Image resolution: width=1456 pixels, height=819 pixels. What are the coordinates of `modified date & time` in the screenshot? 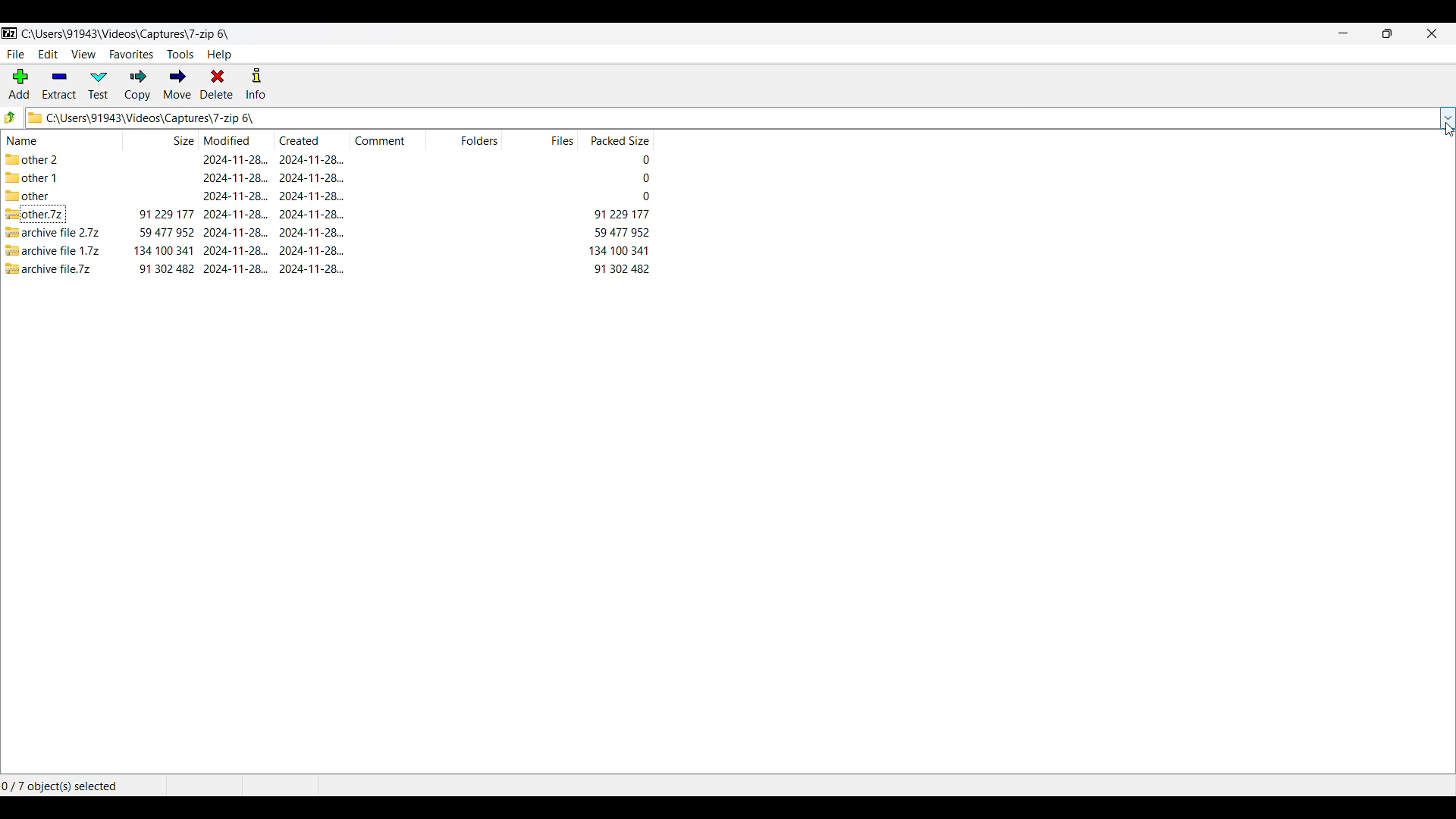 It's located at (235, 196).